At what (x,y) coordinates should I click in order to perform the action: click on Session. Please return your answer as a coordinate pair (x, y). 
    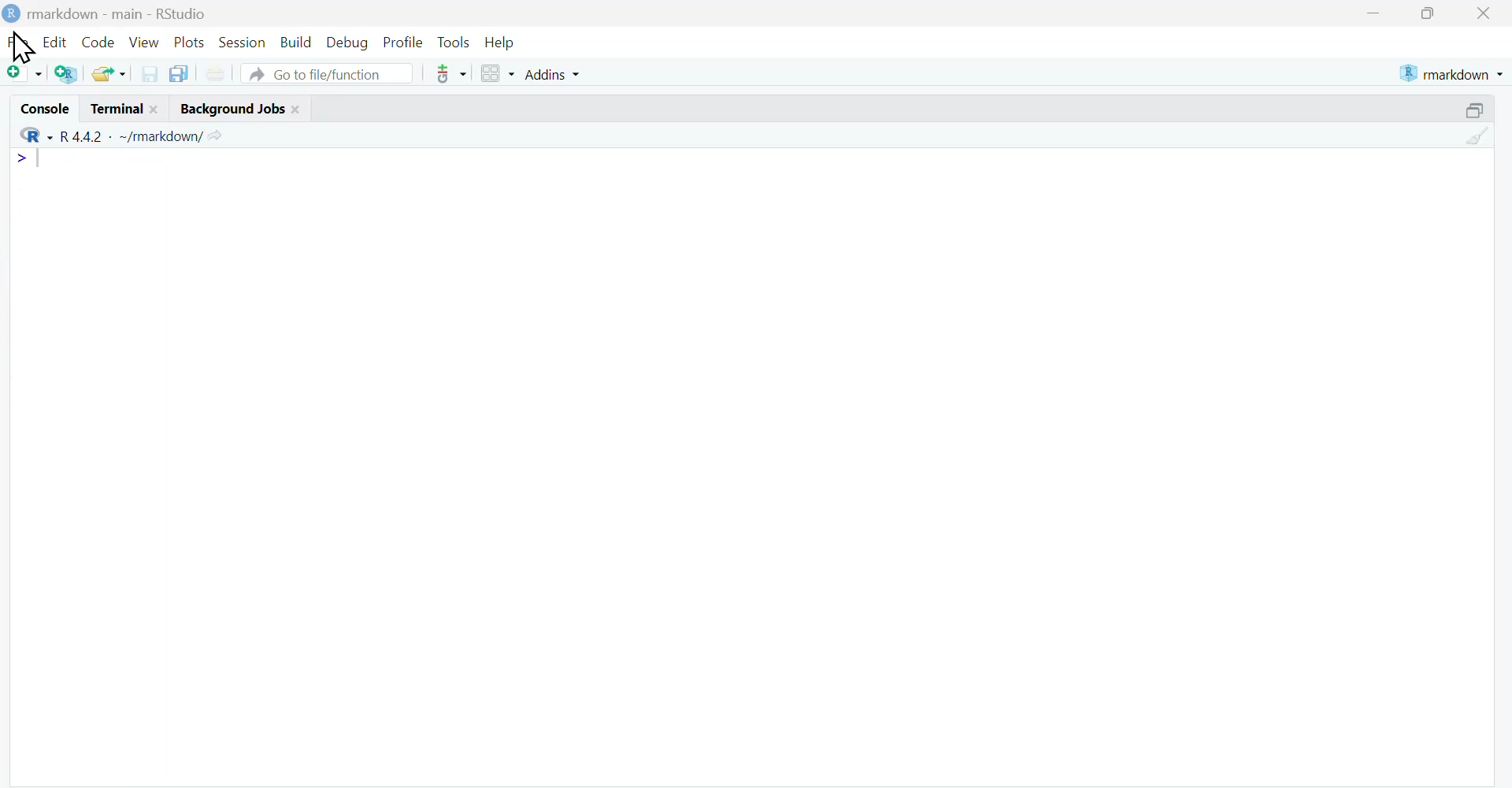
    Looking at the image, I should click on (243, 43).